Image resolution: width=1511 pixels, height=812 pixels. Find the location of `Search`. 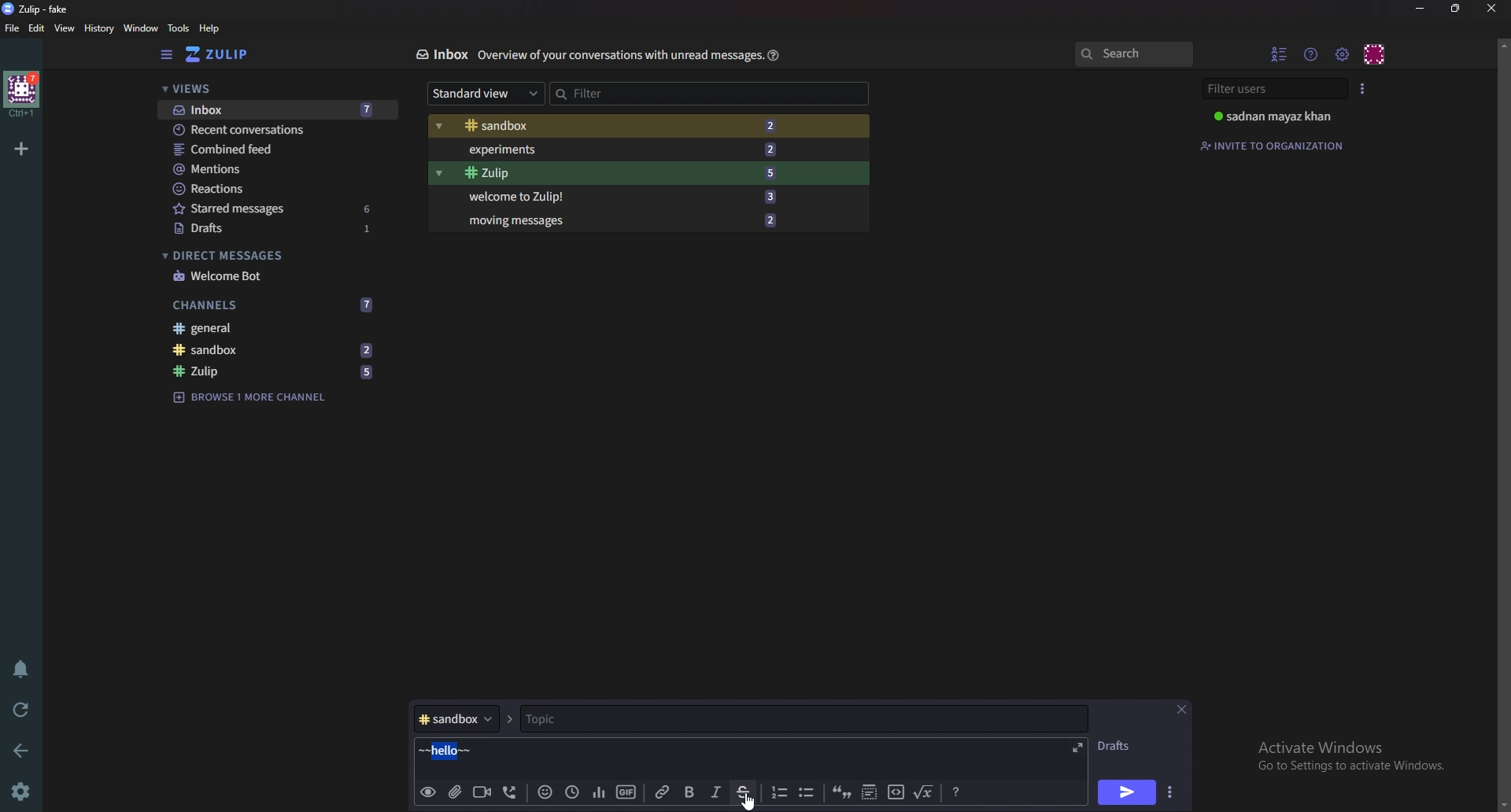

Search is located at coordinates (1136, 54).